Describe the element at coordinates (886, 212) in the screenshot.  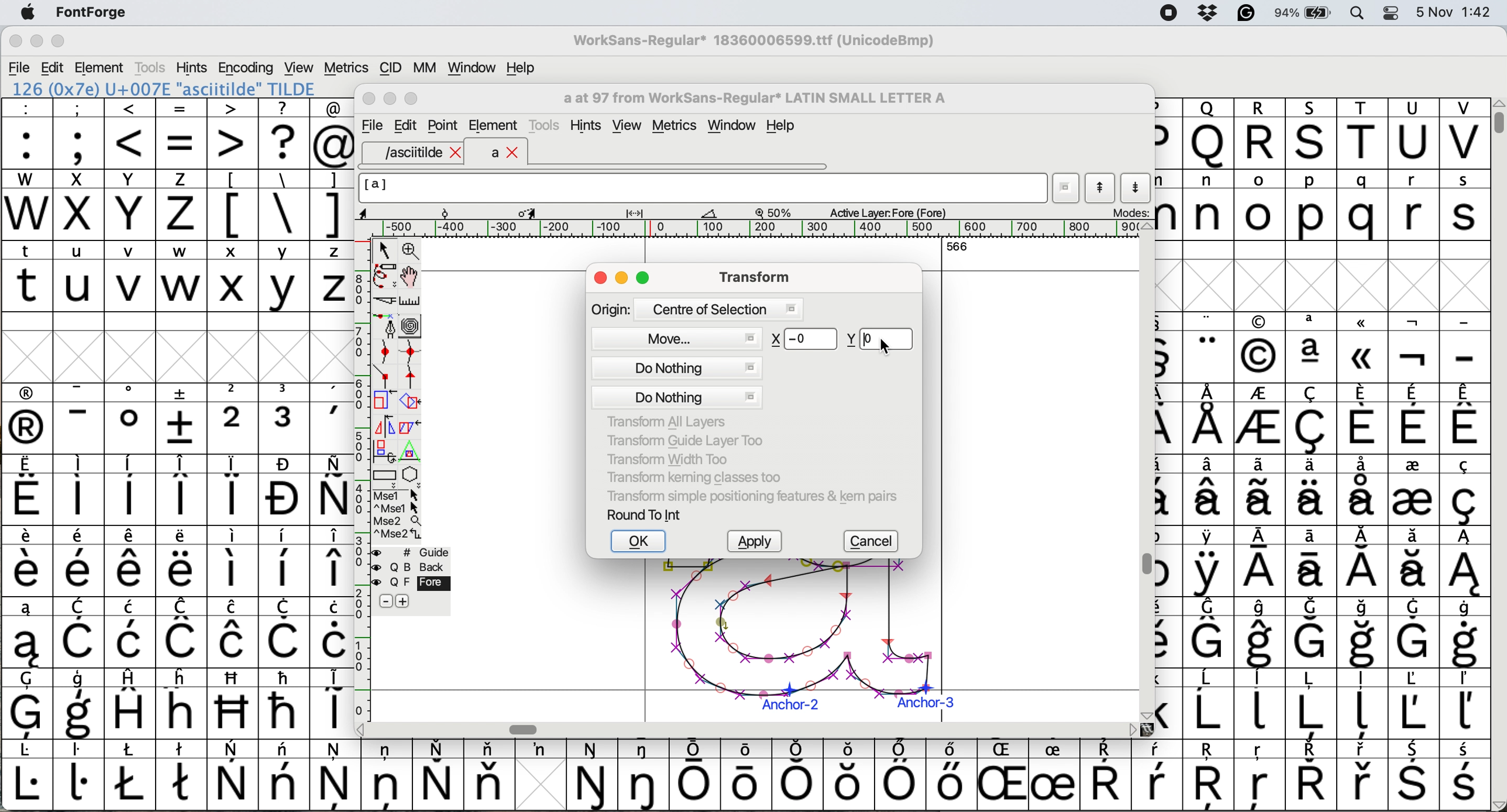
I see `active layer` at that location.